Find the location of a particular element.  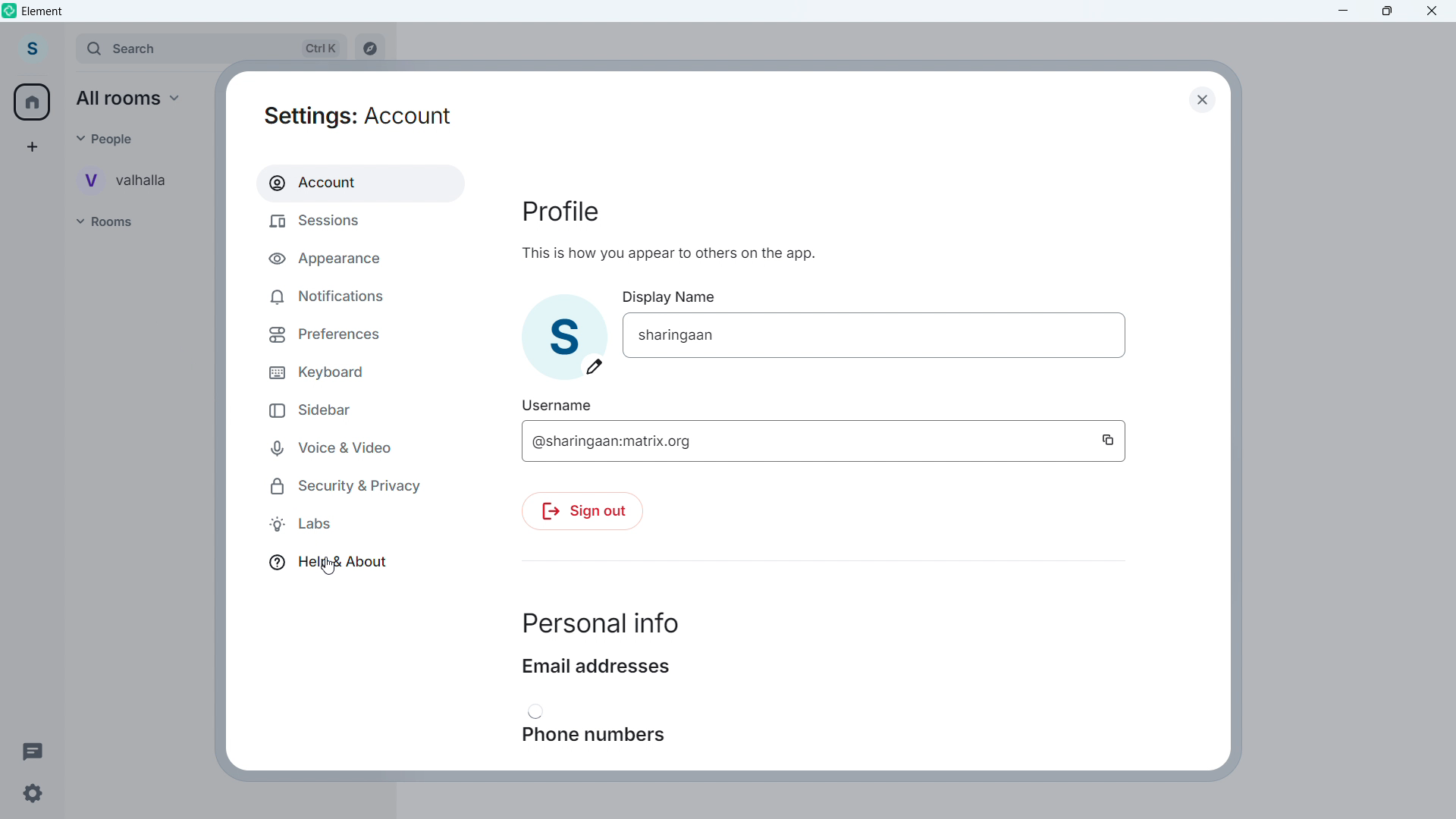

Labs  is located at coordinates (299, 525).